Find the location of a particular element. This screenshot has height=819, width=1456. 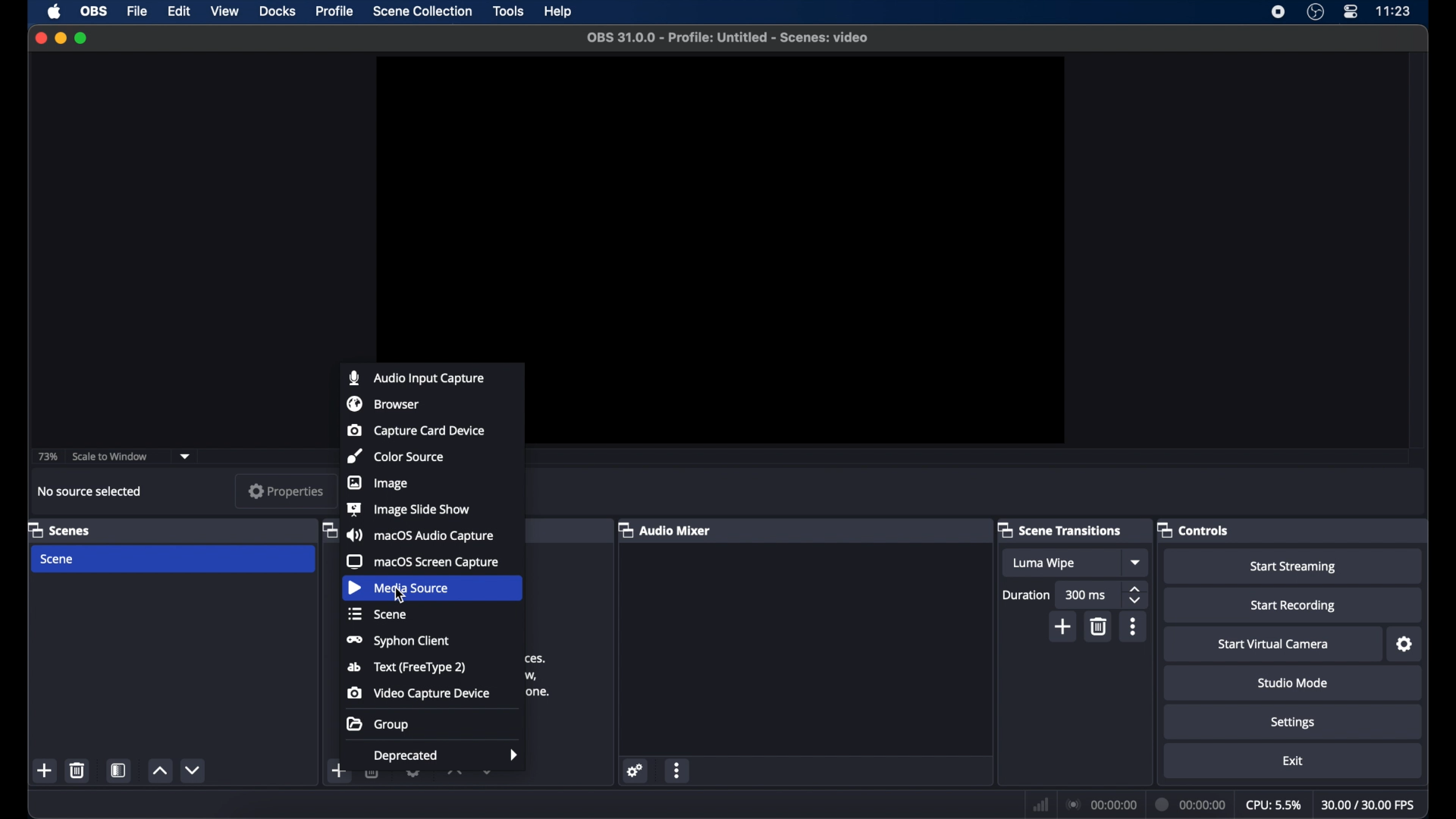

start streaming is located at coordinates (1295, 567).